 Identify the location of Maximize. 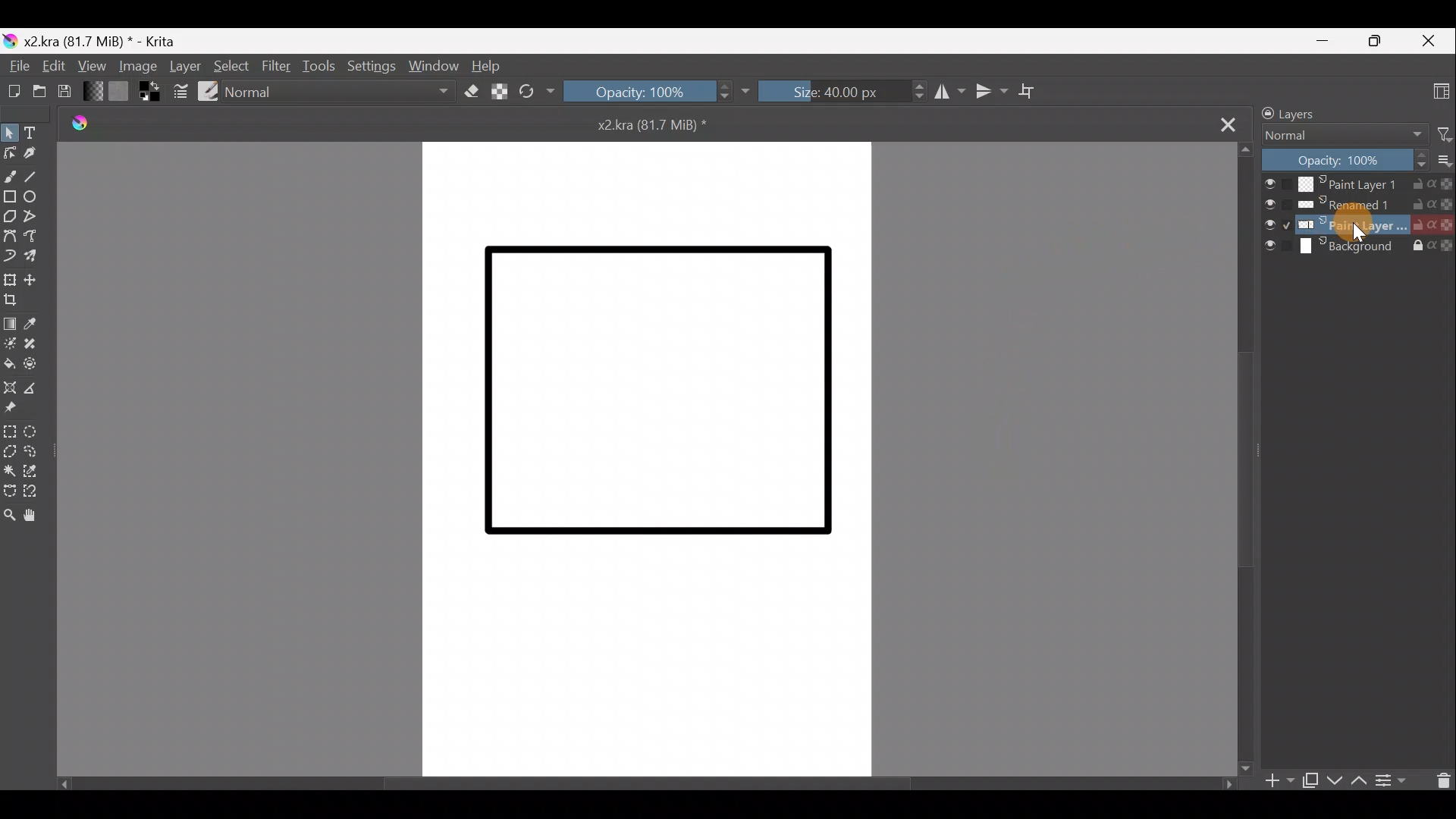
(1374, 40).